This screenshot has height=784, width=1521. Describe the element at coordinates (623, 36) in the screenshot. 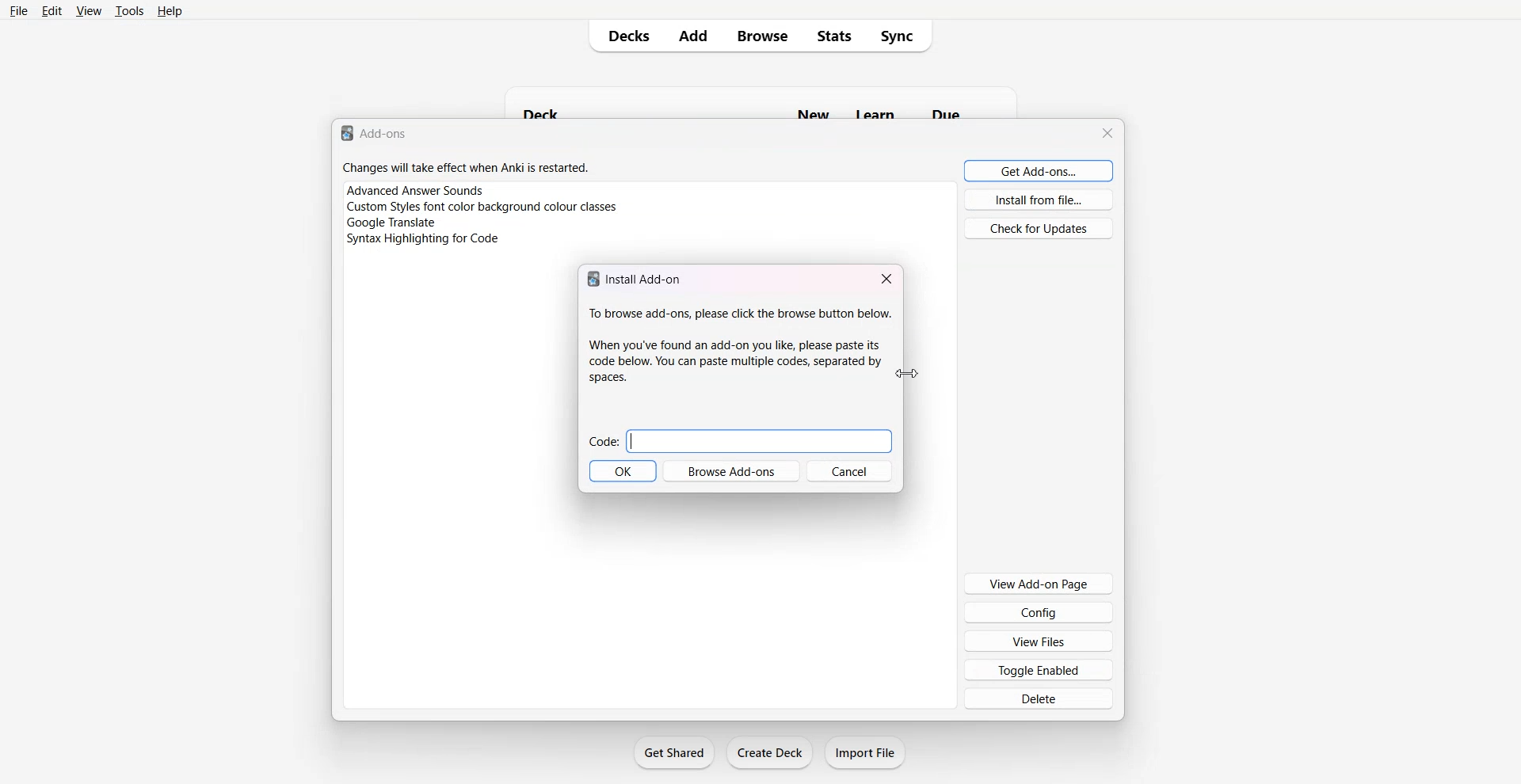

I see `Decks` at that location.